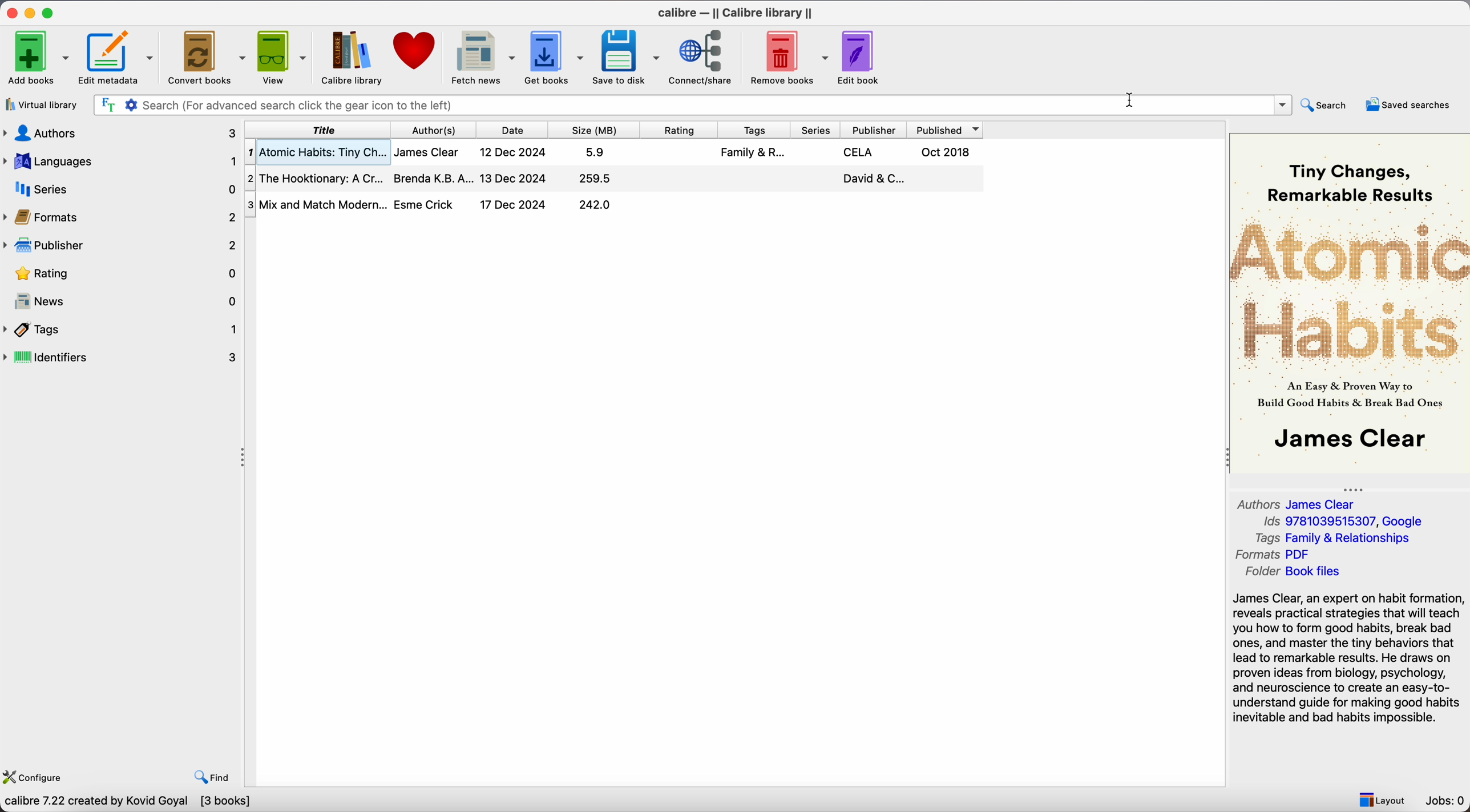 This screenshot has width=1470, height=812. Describe the element at coordinates (122, 132) in the screenshot. I see `authors` at that location.